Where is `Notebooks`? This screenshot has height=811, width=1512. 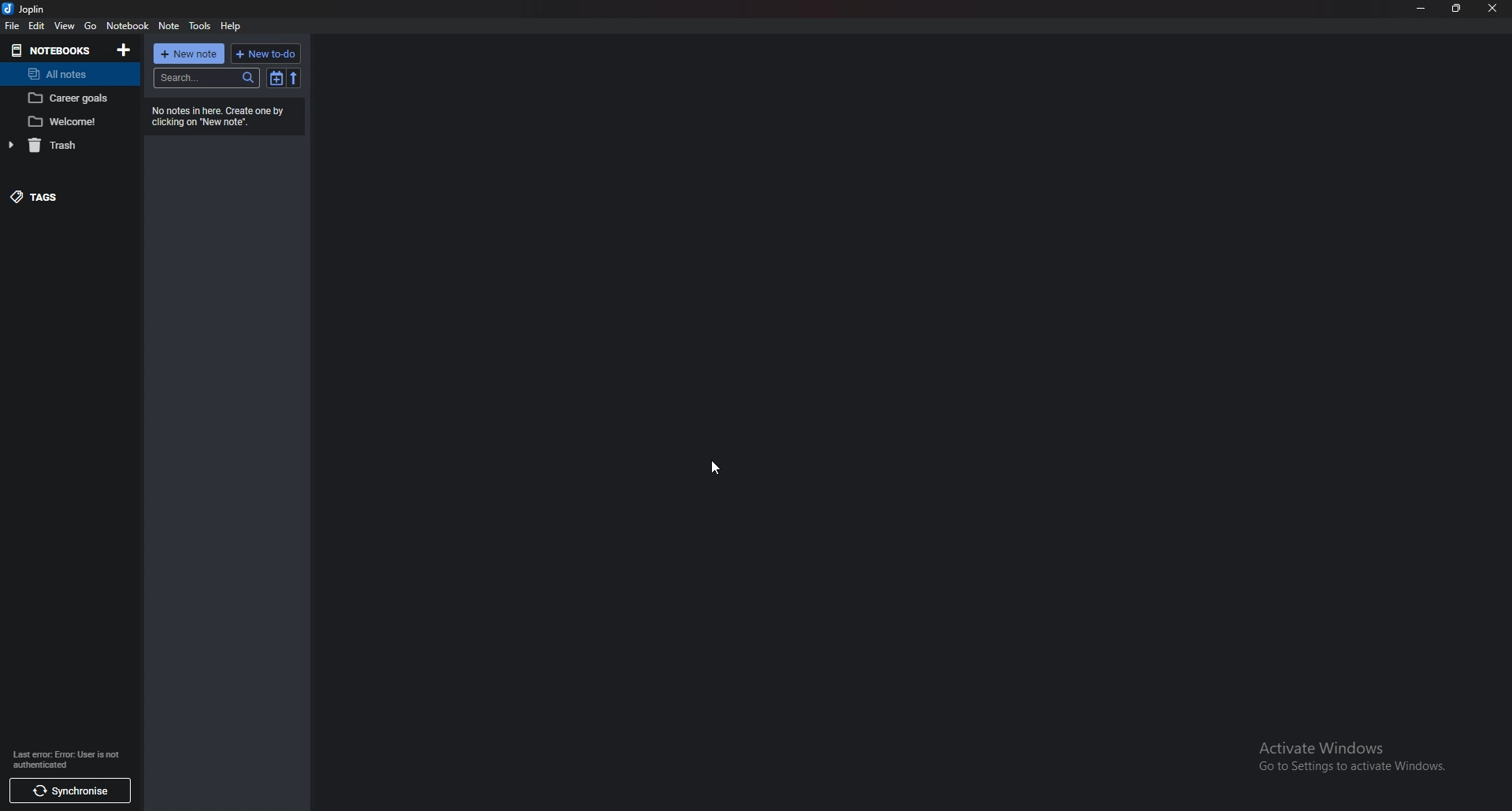 Notebooks is located at coordinates (54, 49).